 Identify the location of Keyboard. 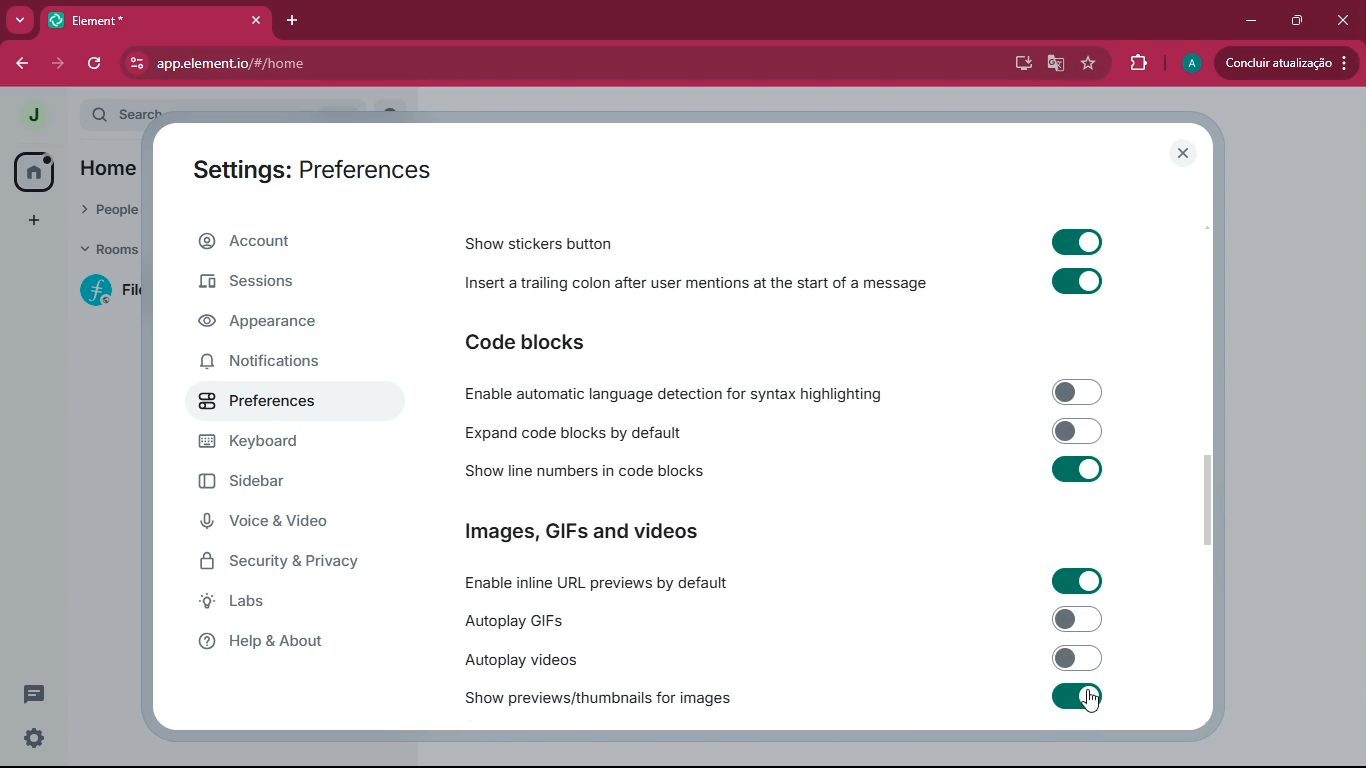
(271, 442).